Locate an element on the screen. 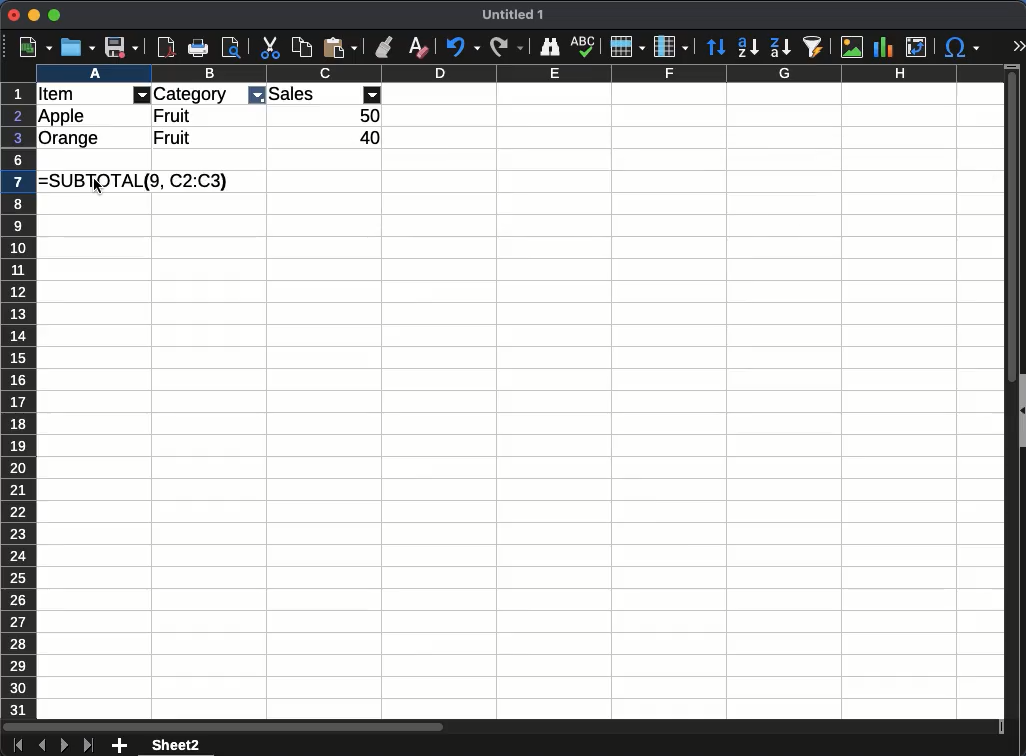 This screenshot has height=756, width=1026. expand is located at coordinates (1016, 45).